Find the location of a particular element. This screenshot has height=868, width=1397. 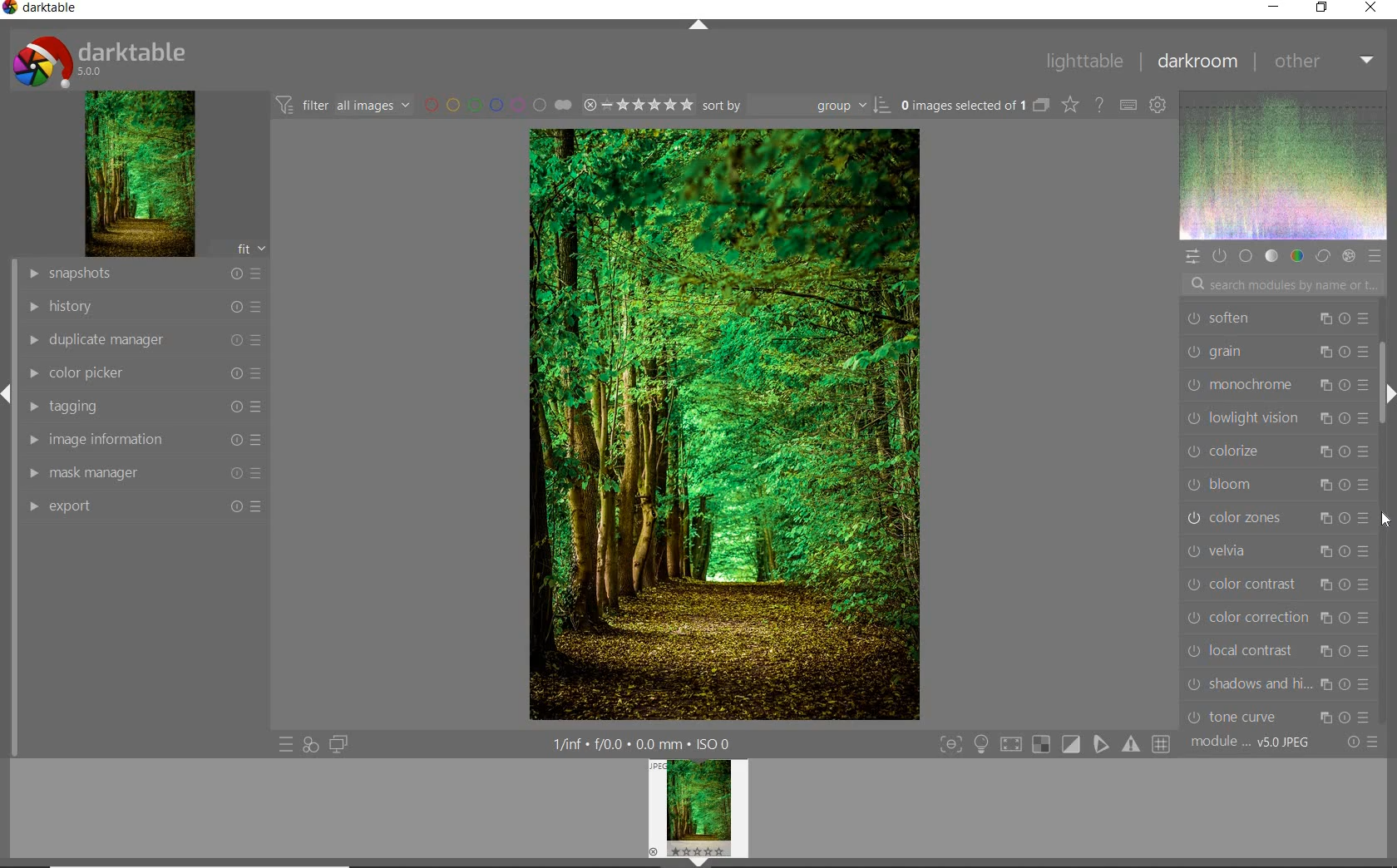

TAGGING is located at coordinates (143, 407).